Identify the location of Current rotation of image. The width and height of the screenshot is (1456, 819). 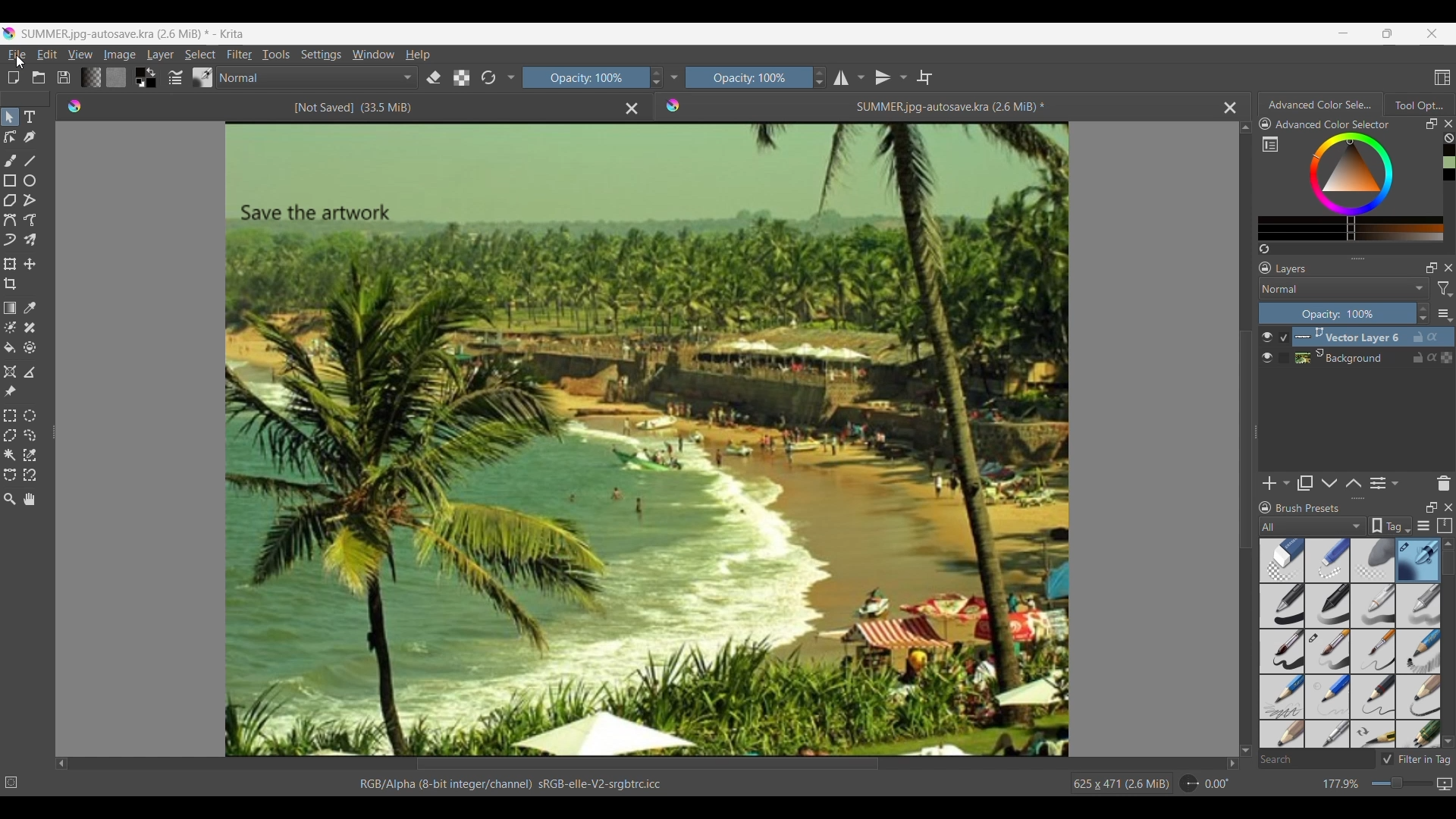
(1217, 784).